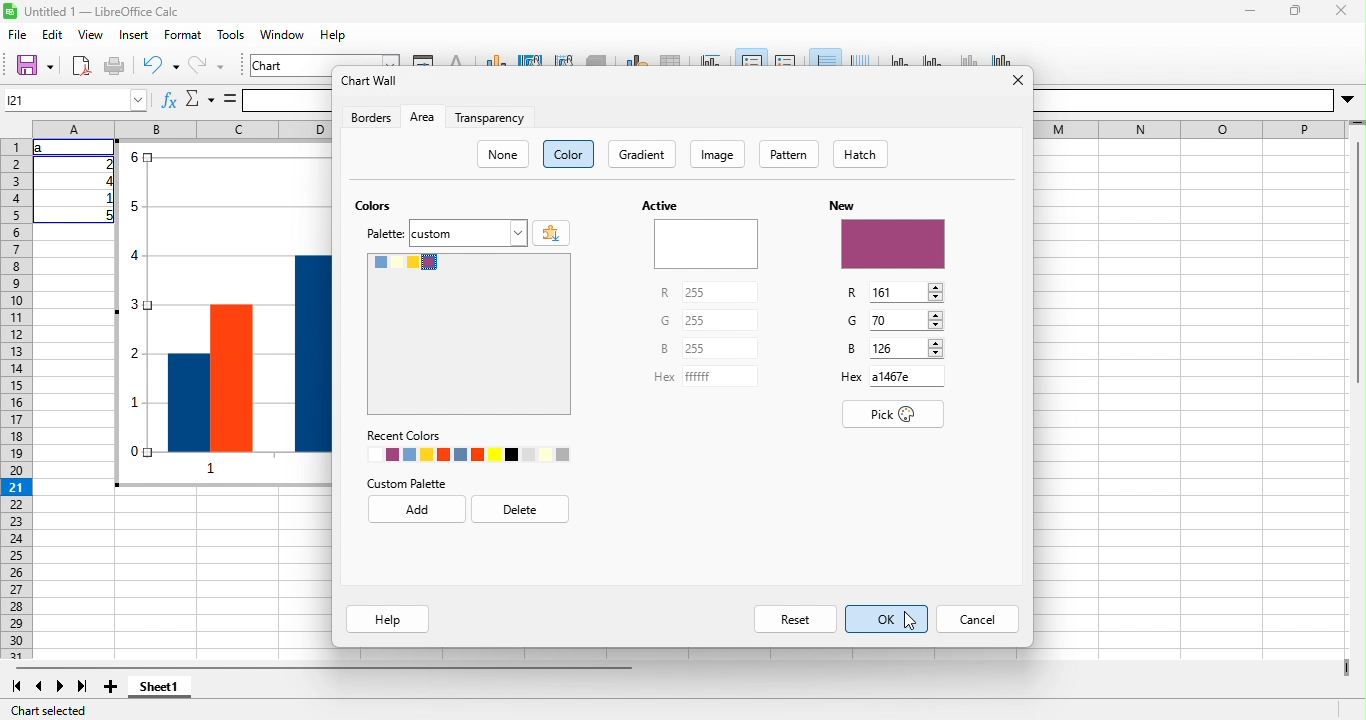  I want to click on Input for Hex code, so click(907, 376).